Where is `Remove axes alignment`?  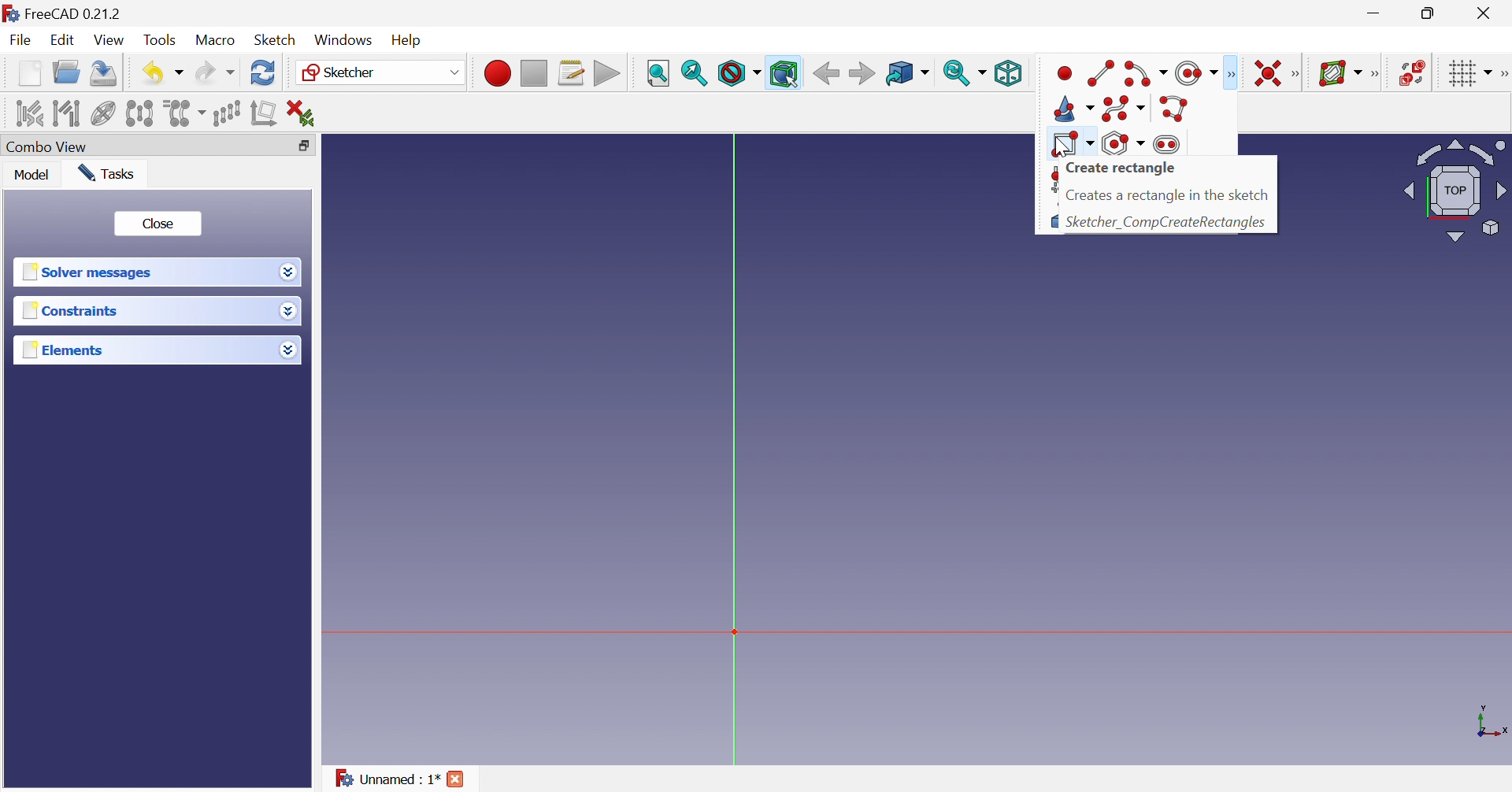
Remove axes alignment is located at coordinates (264, 115).